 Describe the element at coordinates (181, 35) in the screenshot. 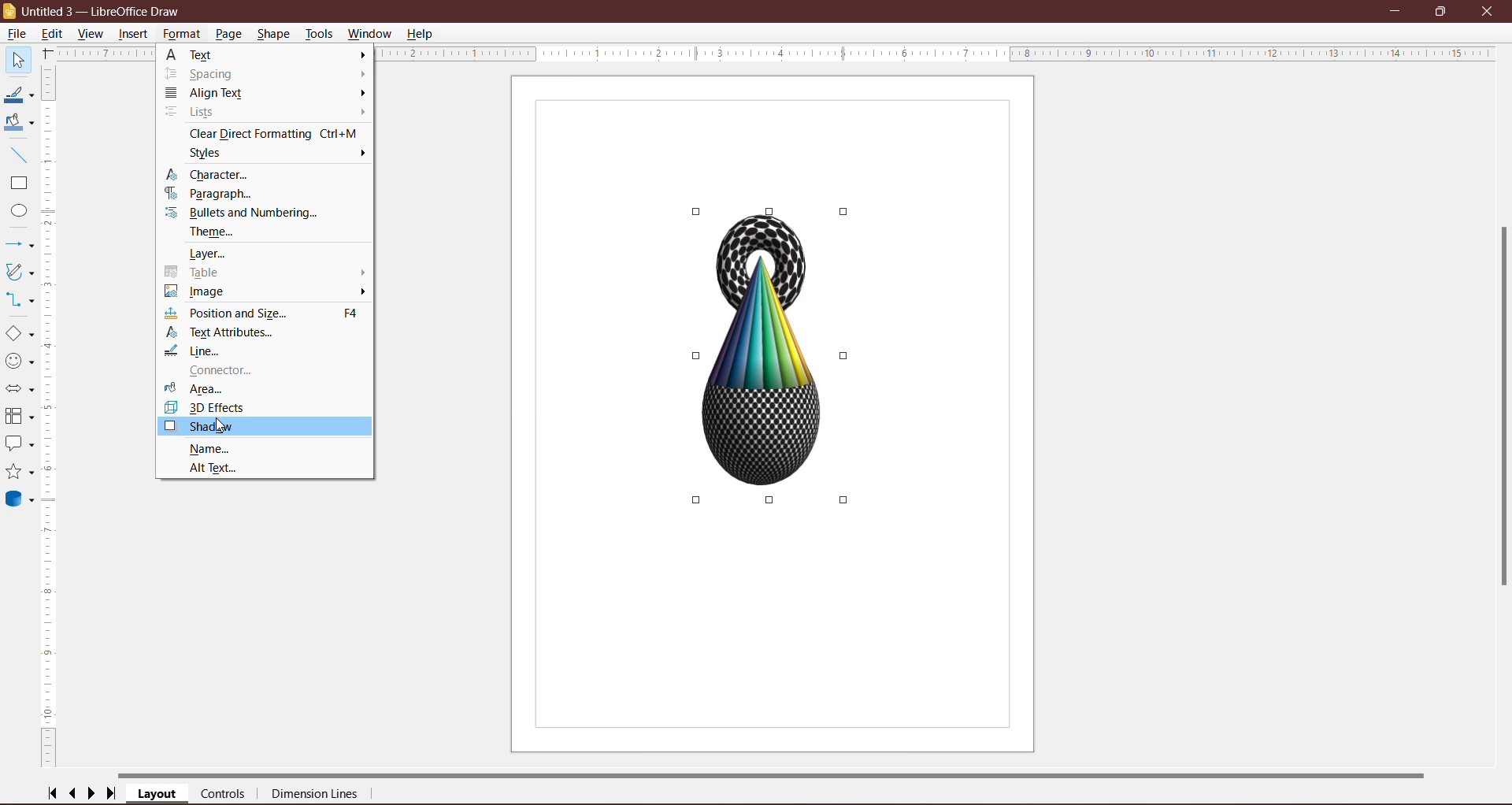

I see `Format` at that location.